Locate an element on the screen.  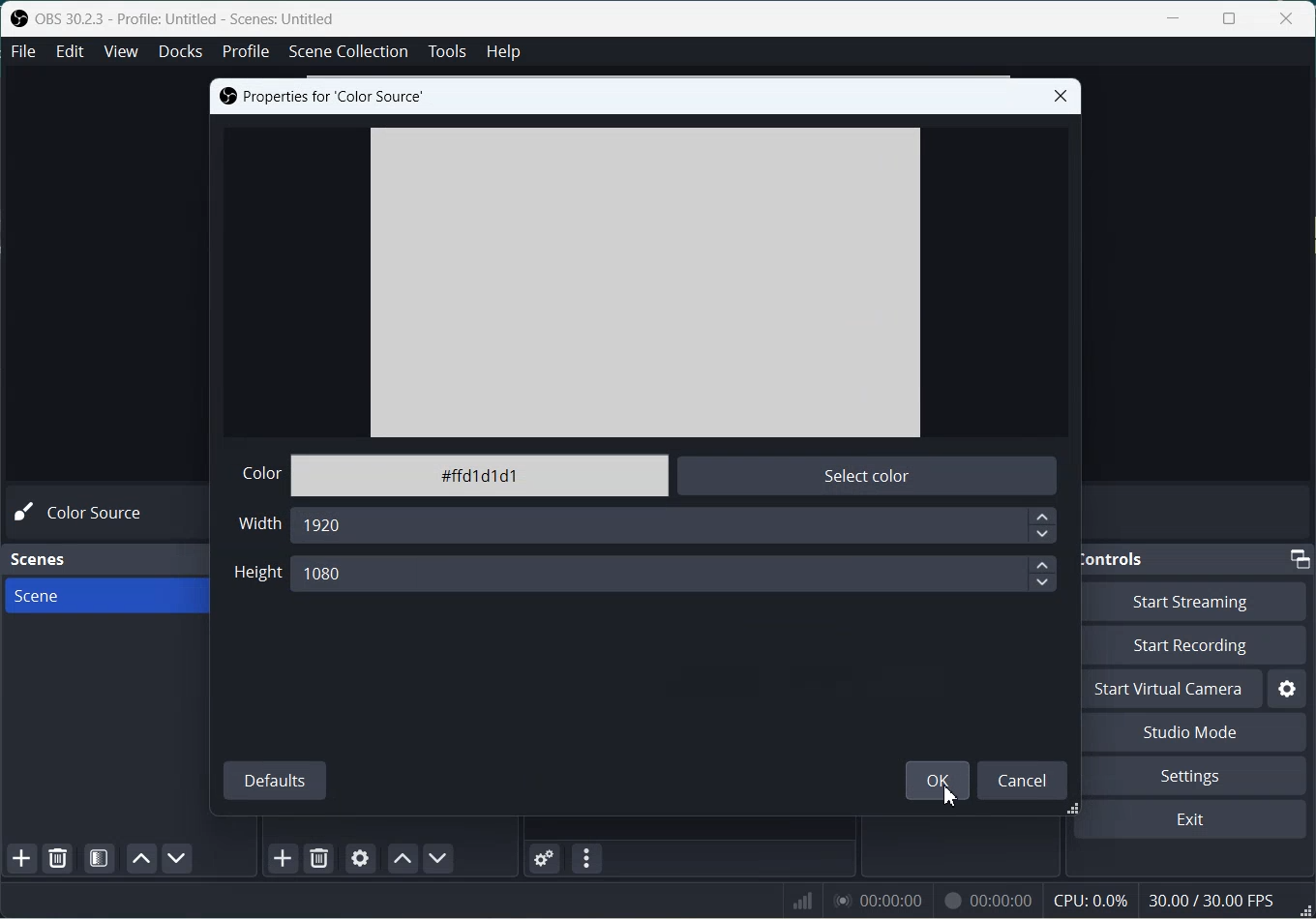
Edit is located at coordinates (70, 50).